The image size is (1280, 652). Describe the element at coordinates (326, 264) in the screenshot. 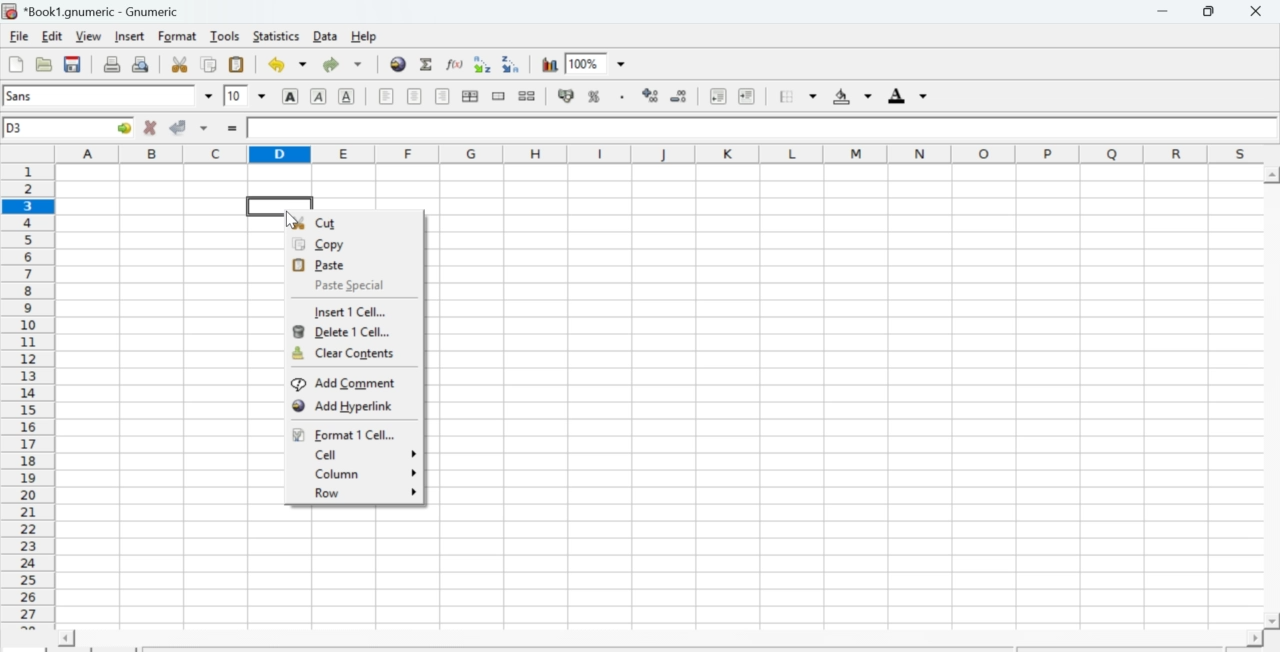

I see `Paste` at that location.